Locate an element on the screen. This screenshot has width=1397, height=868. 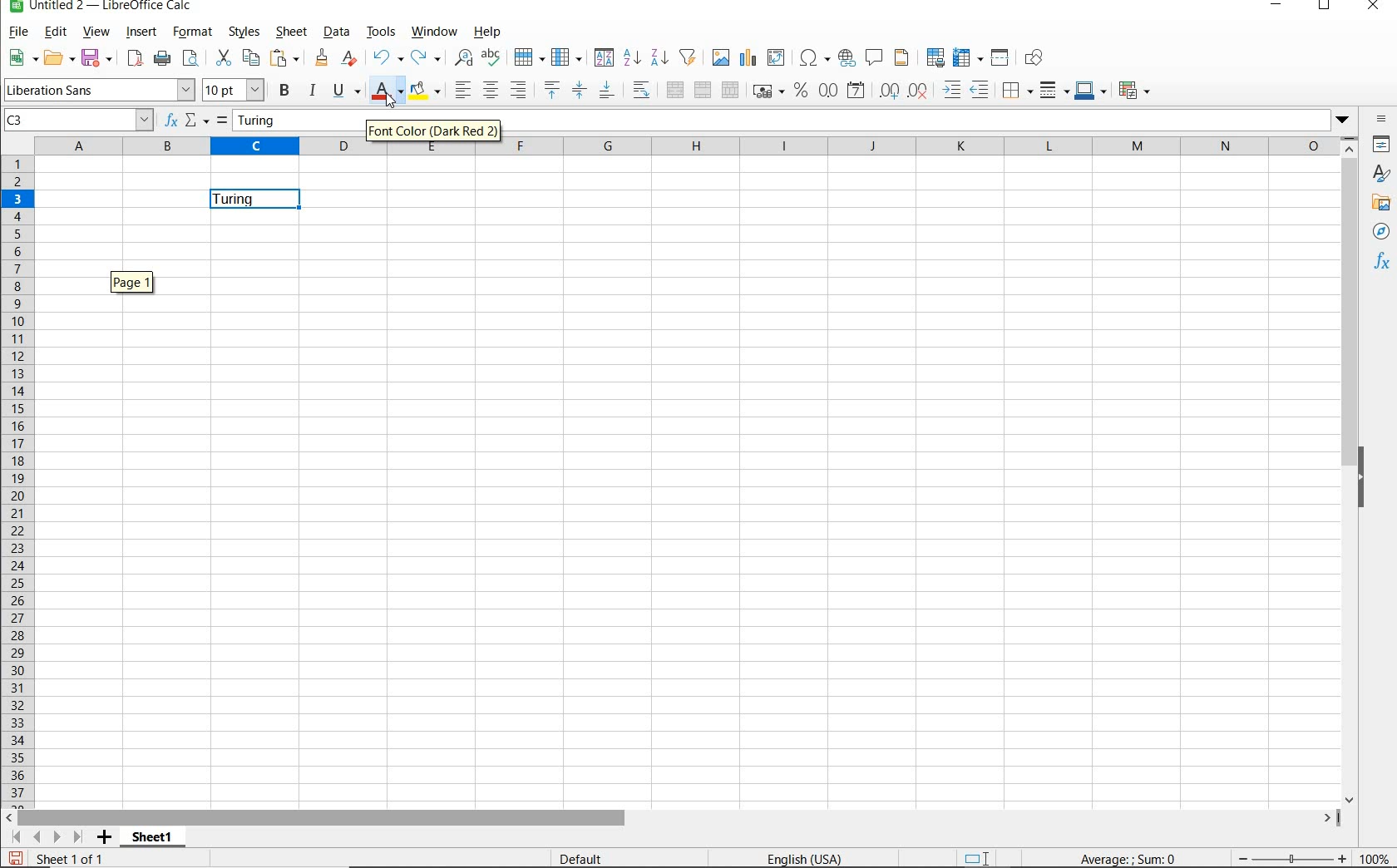
ZOOM OUT OR ZOOM IN is located at coordinates (1282, 858).